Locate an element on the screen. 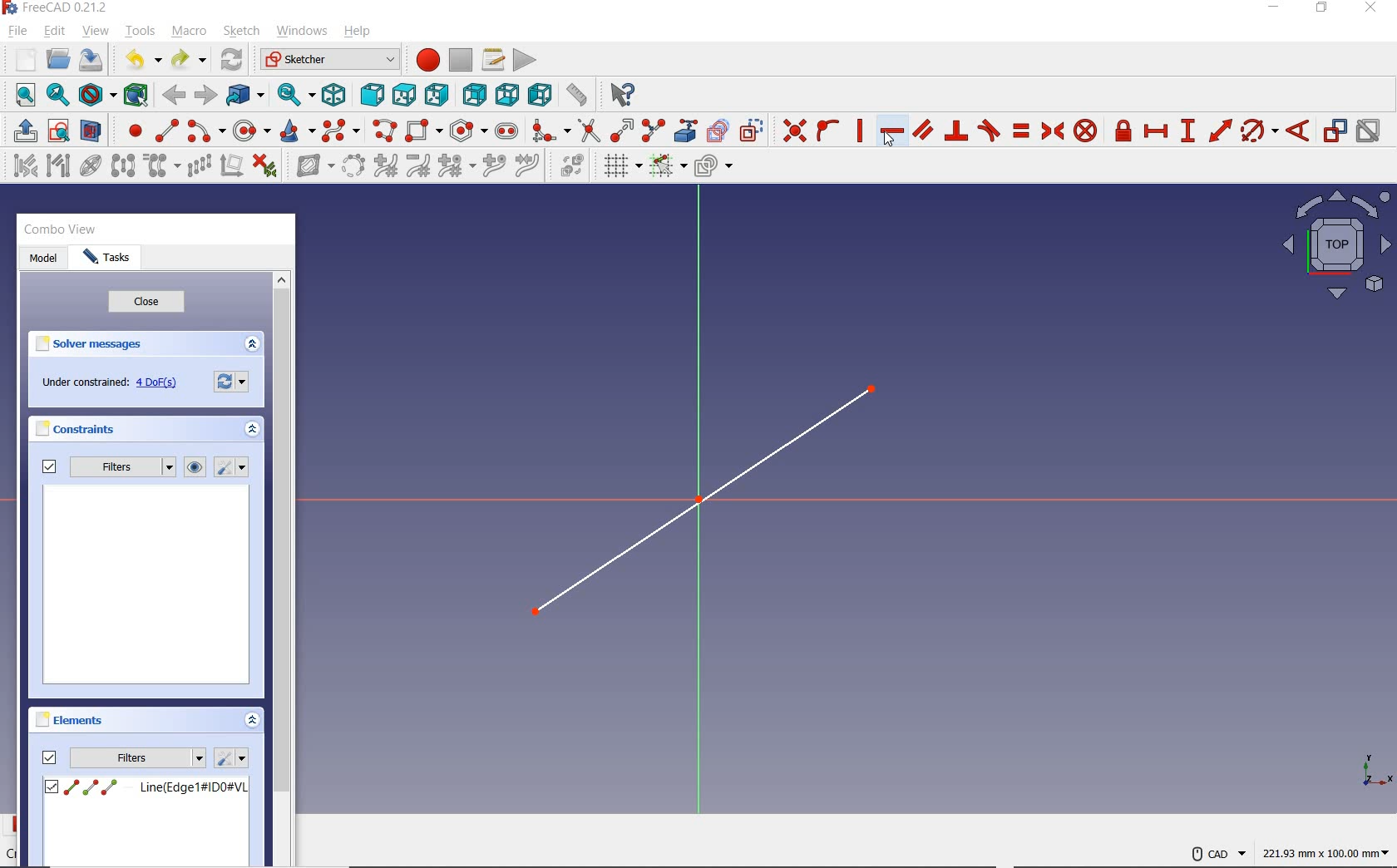 The width and height of the screenshot is (1397, 868). LEFT is located at coordinates (541, 96).